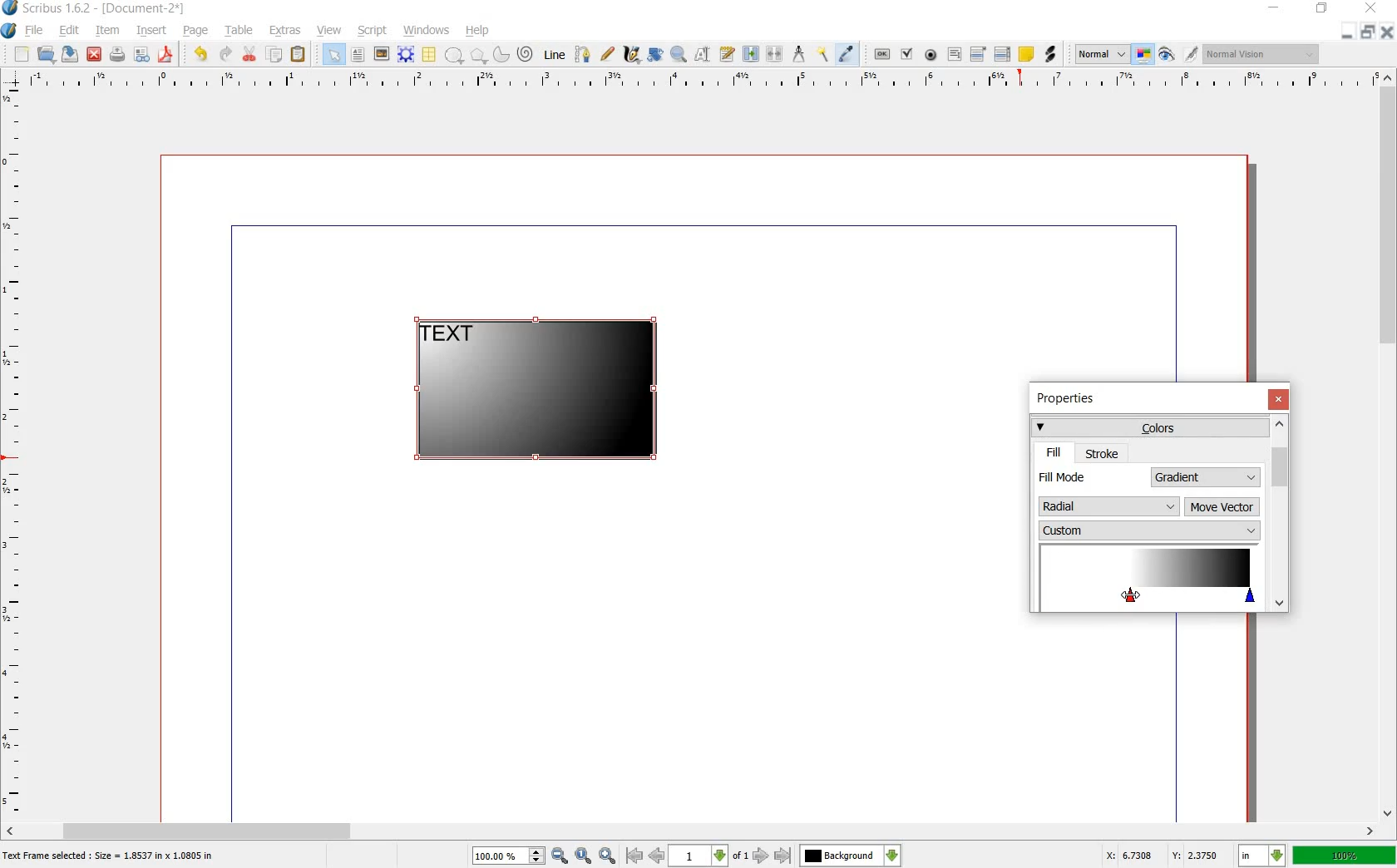  Describe the element at coordinates (608, 856) in the screenshot. I see `zoom in` at that location.